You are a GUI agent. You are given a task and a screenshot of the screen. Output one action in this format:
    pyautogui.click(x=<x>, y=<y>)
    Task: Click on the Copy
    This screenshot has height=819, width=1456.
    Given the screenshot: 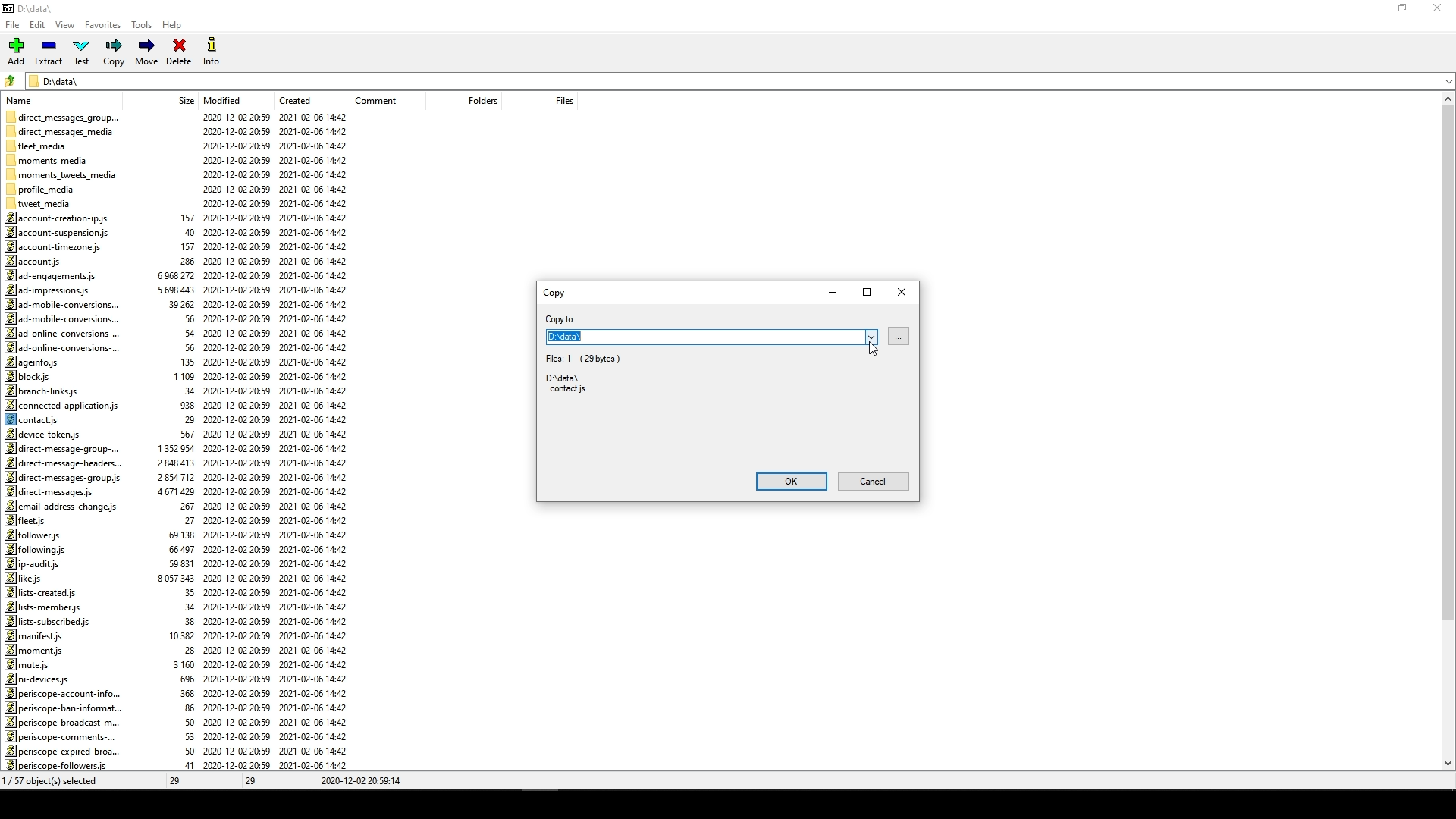 What is the action you would take?
    pyautogui.click(x=115, y=52)
    